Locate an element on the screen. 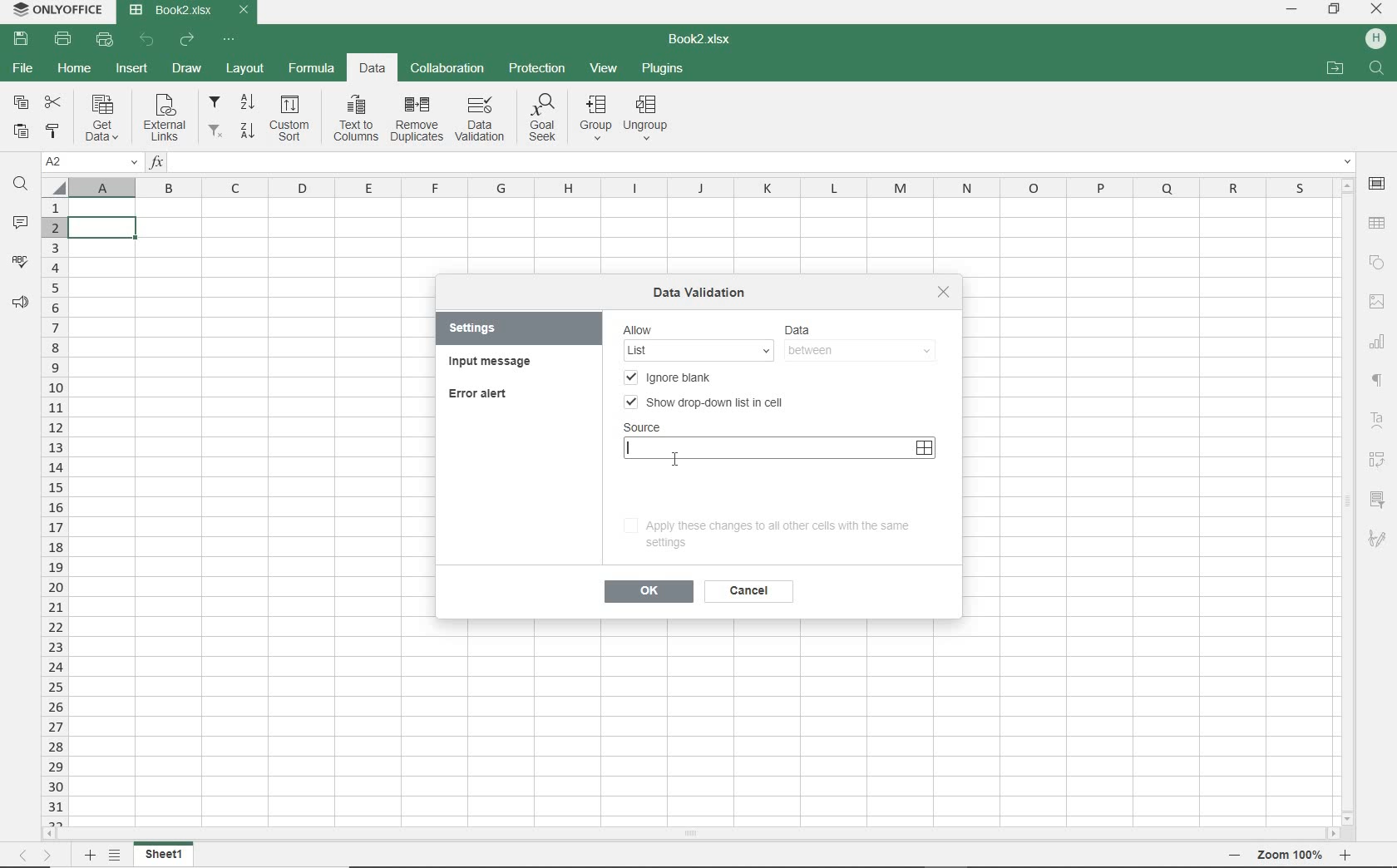 The height and width of the screenshot is (868, 1397). INSERT is located at coordinates (133, 66).